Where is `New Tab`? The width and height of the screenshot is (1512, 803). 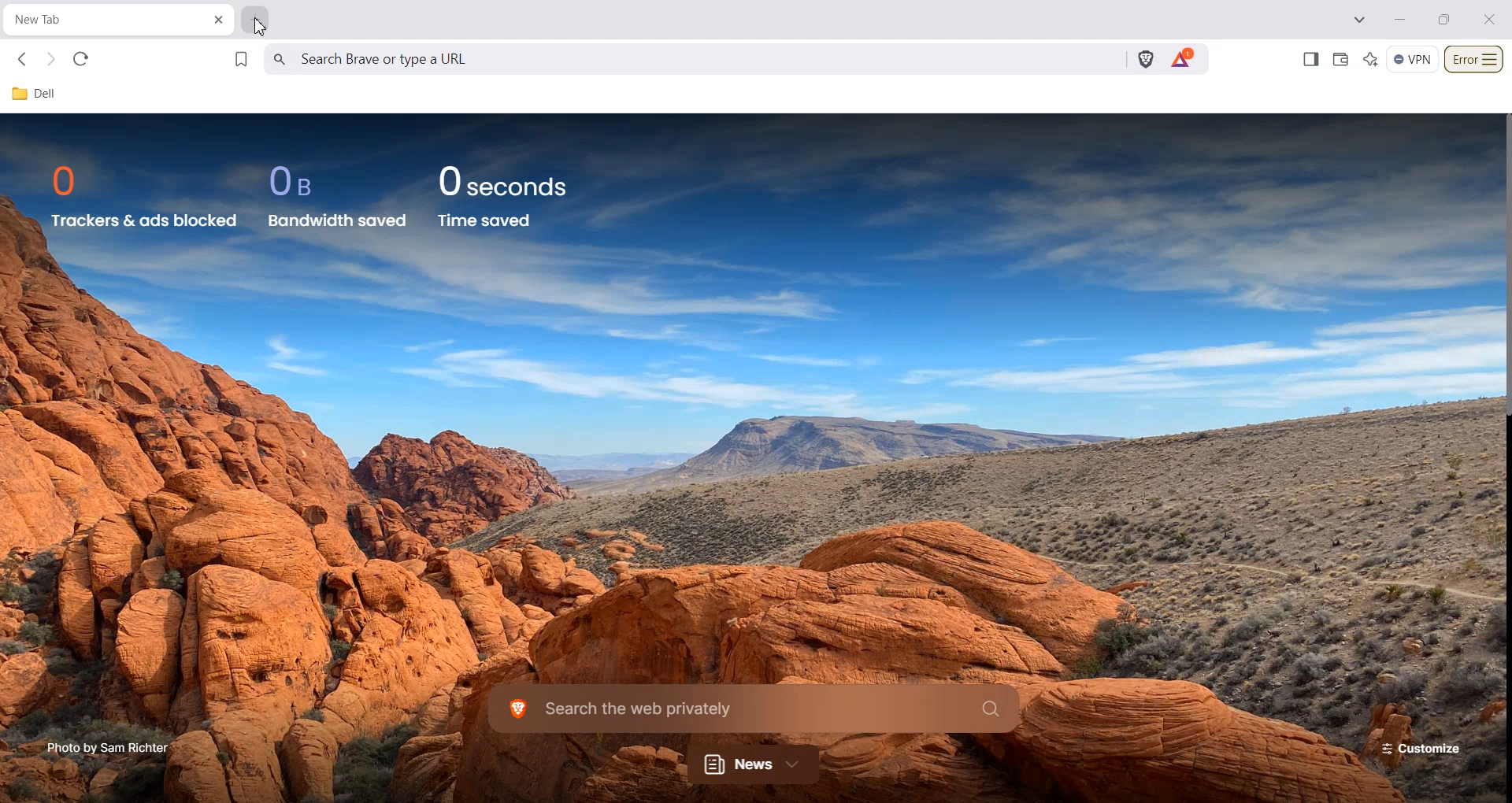 New Tab is located at coordinates (102, 20).